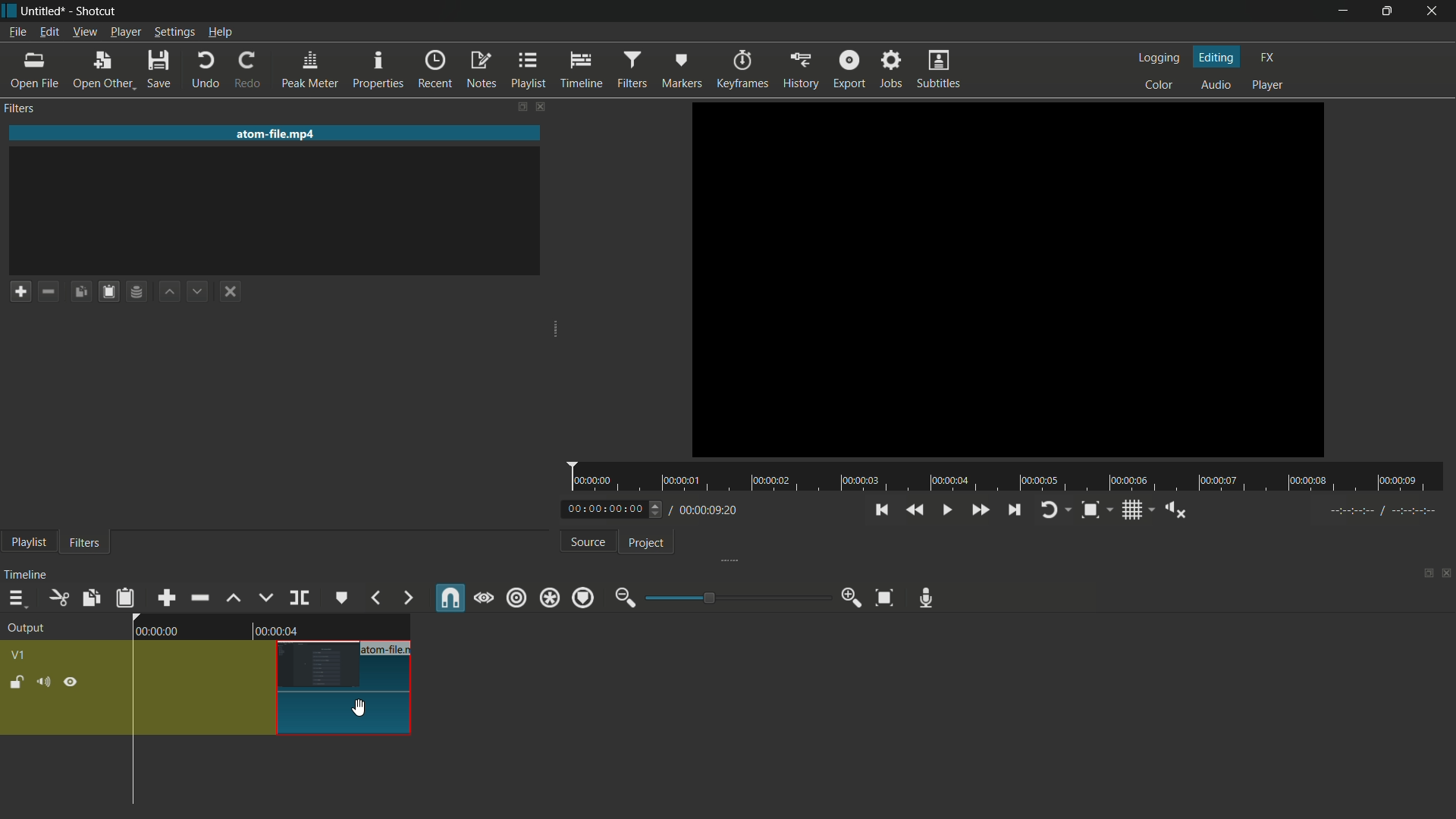 This screenshot has width=1456, height=819. Describe the element at coordinates (360, 711) in the screenshot. I see `cursor` at that location.